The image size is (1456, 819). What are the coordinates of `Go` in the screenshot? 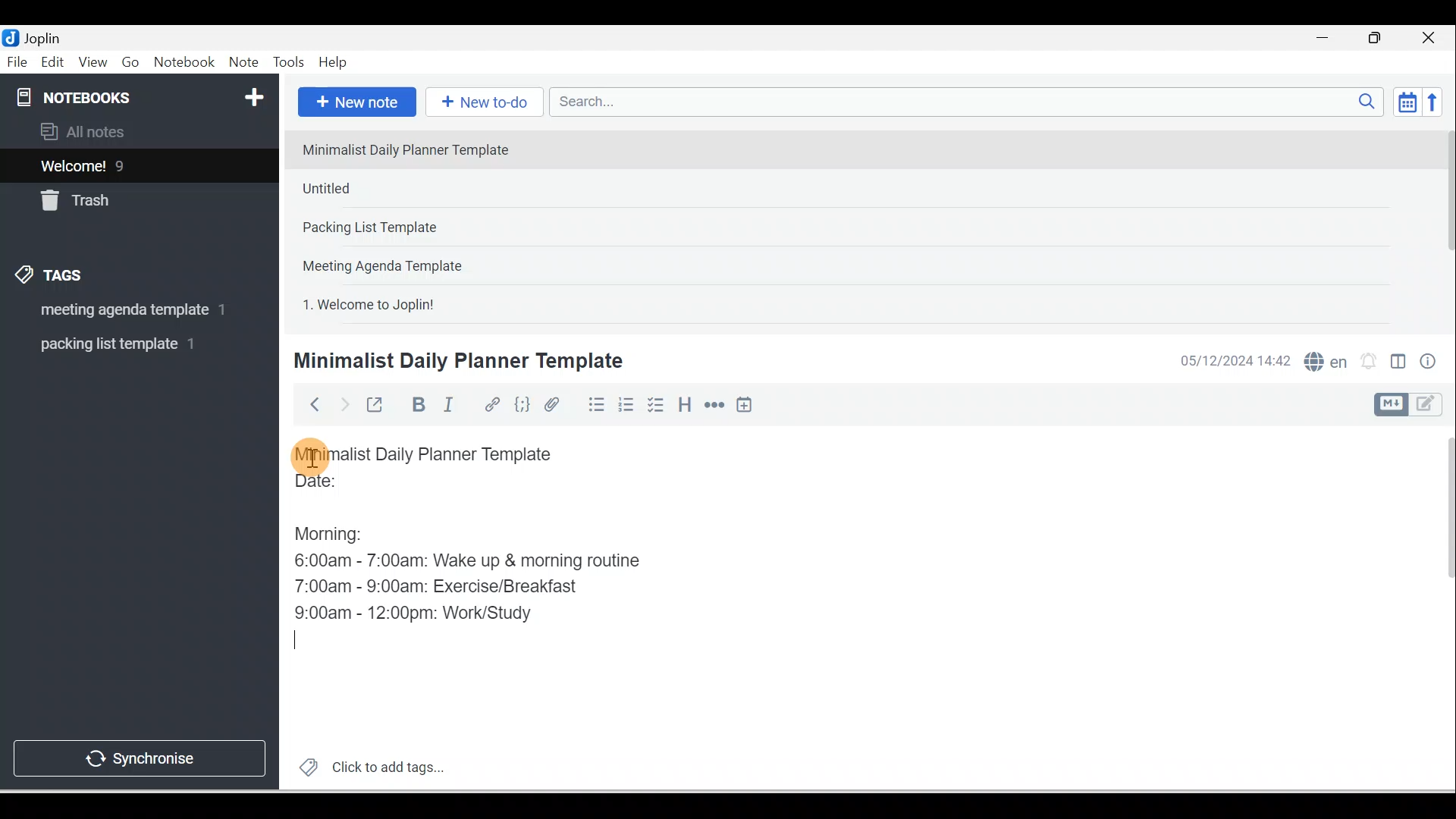 It's located at (133, 63).